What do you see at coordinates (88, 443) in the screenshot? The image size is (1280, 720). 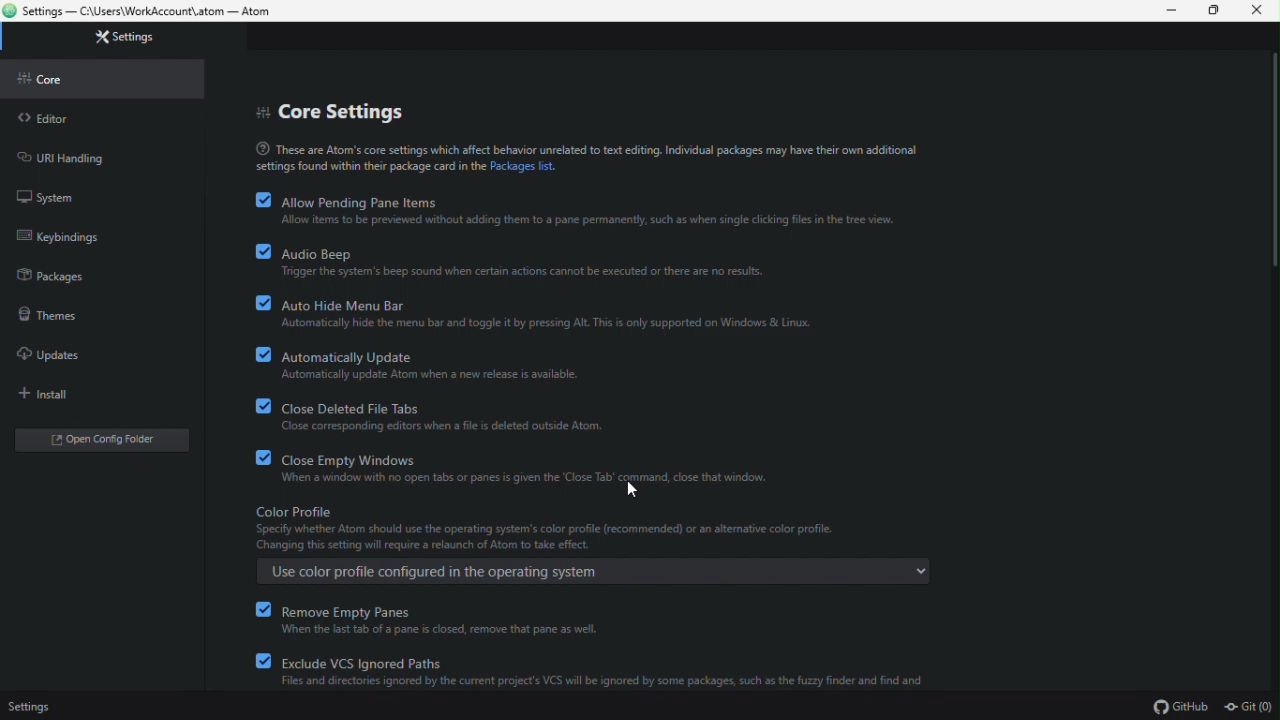 I see `open folder` at bounding box center [88, 443].